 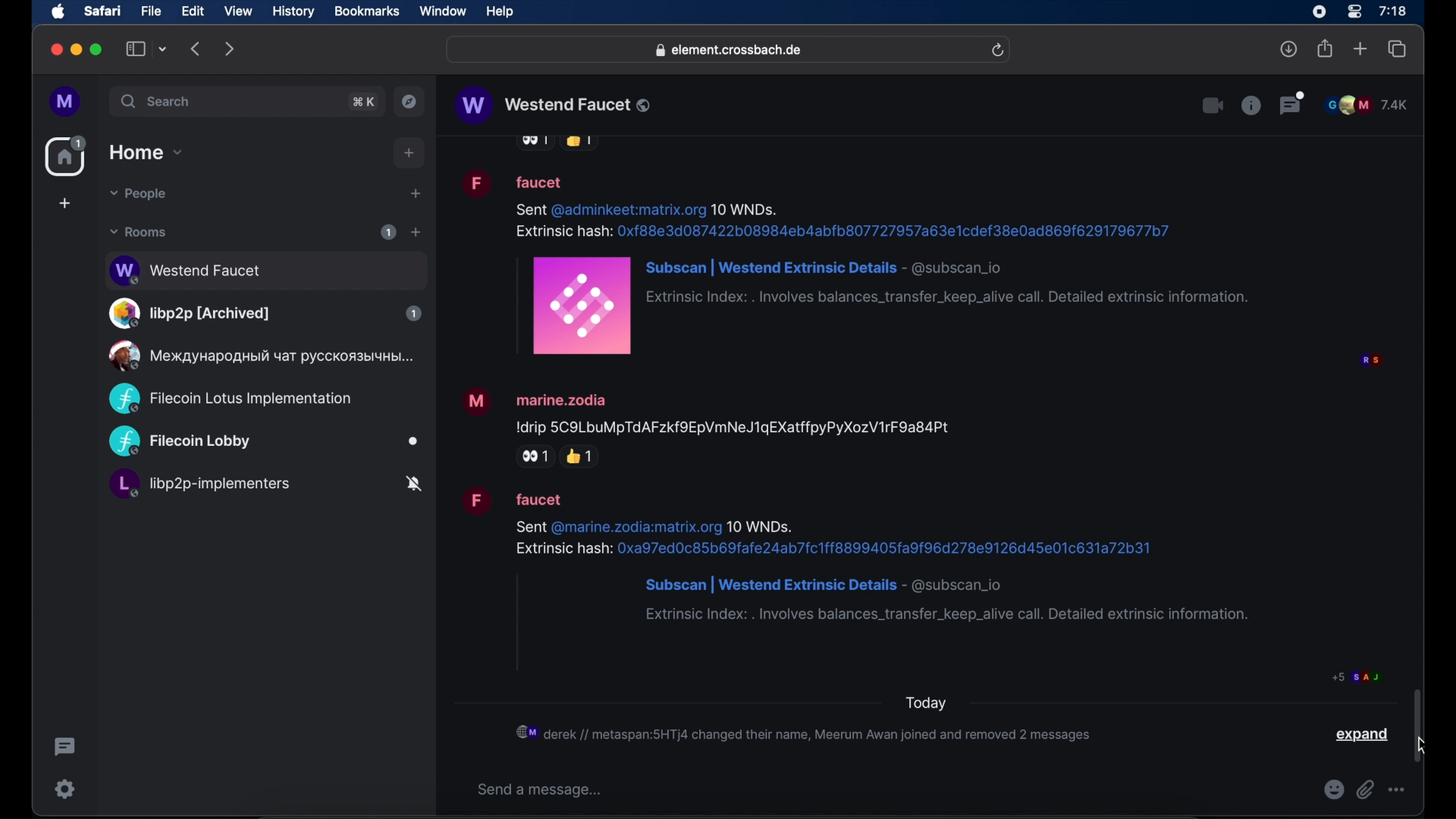 What do you see at coordinates (64, 203) in the screenshot?
I see `create space` at bounding box center [64, 203].